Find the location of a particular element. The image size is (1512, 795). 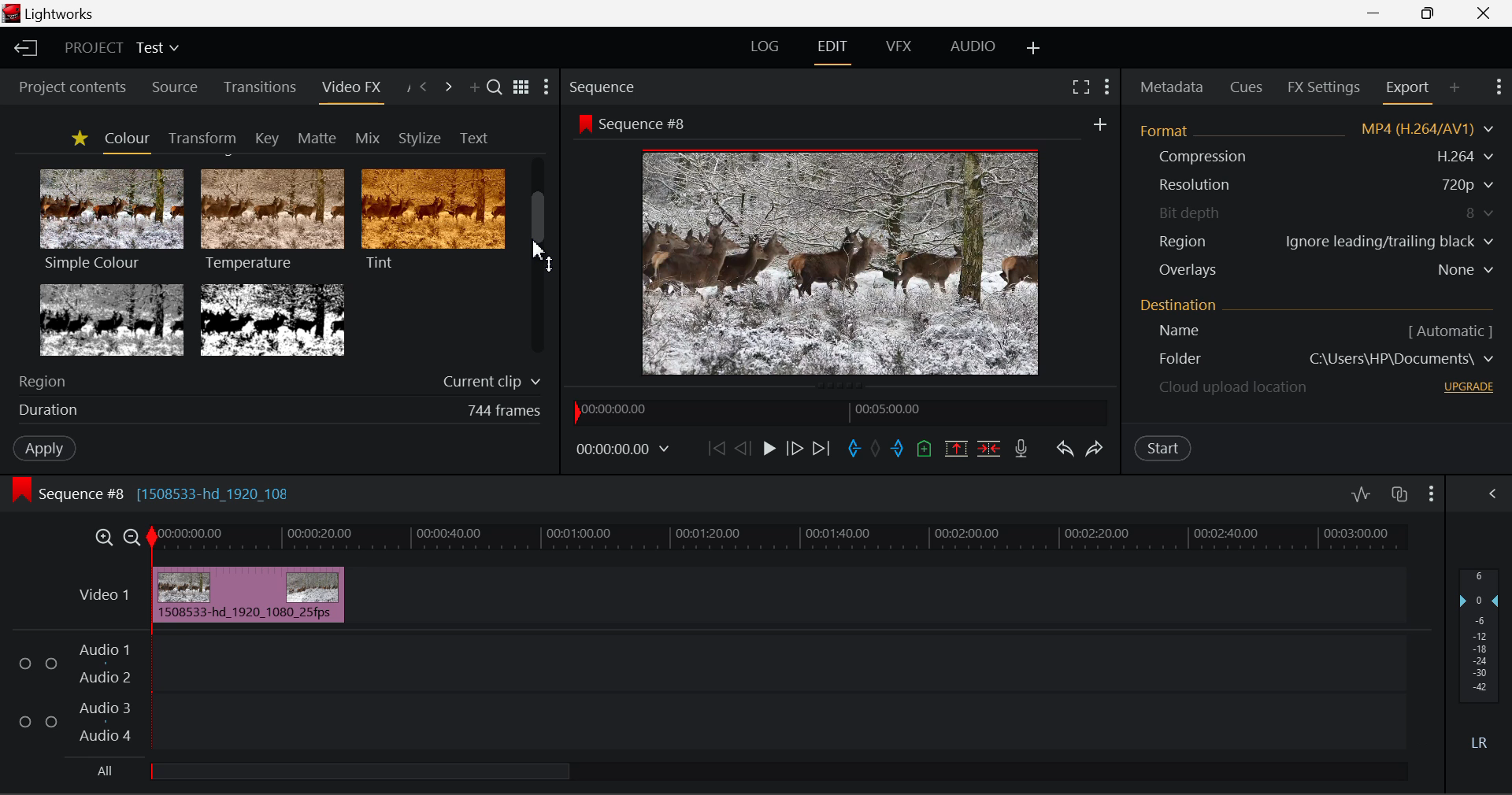

Add Panel is located at coordinates (1454, 92).